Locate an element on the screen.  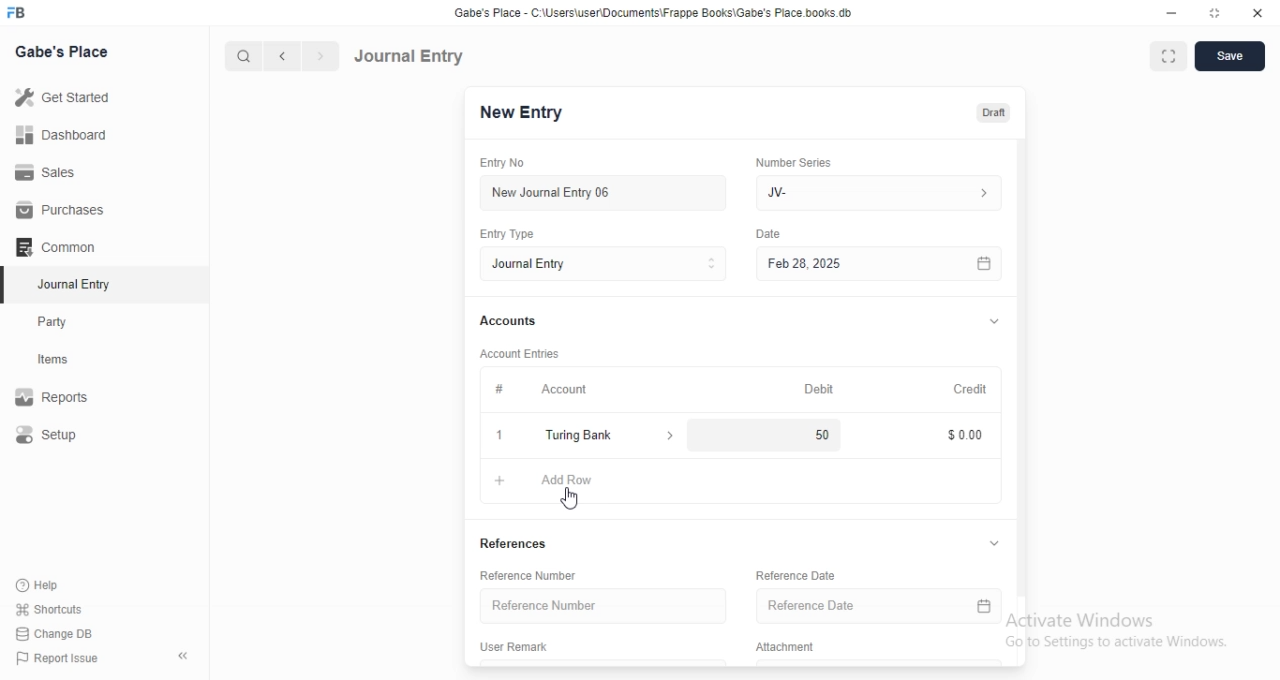
restore down is located at coordinates (1216, 15).